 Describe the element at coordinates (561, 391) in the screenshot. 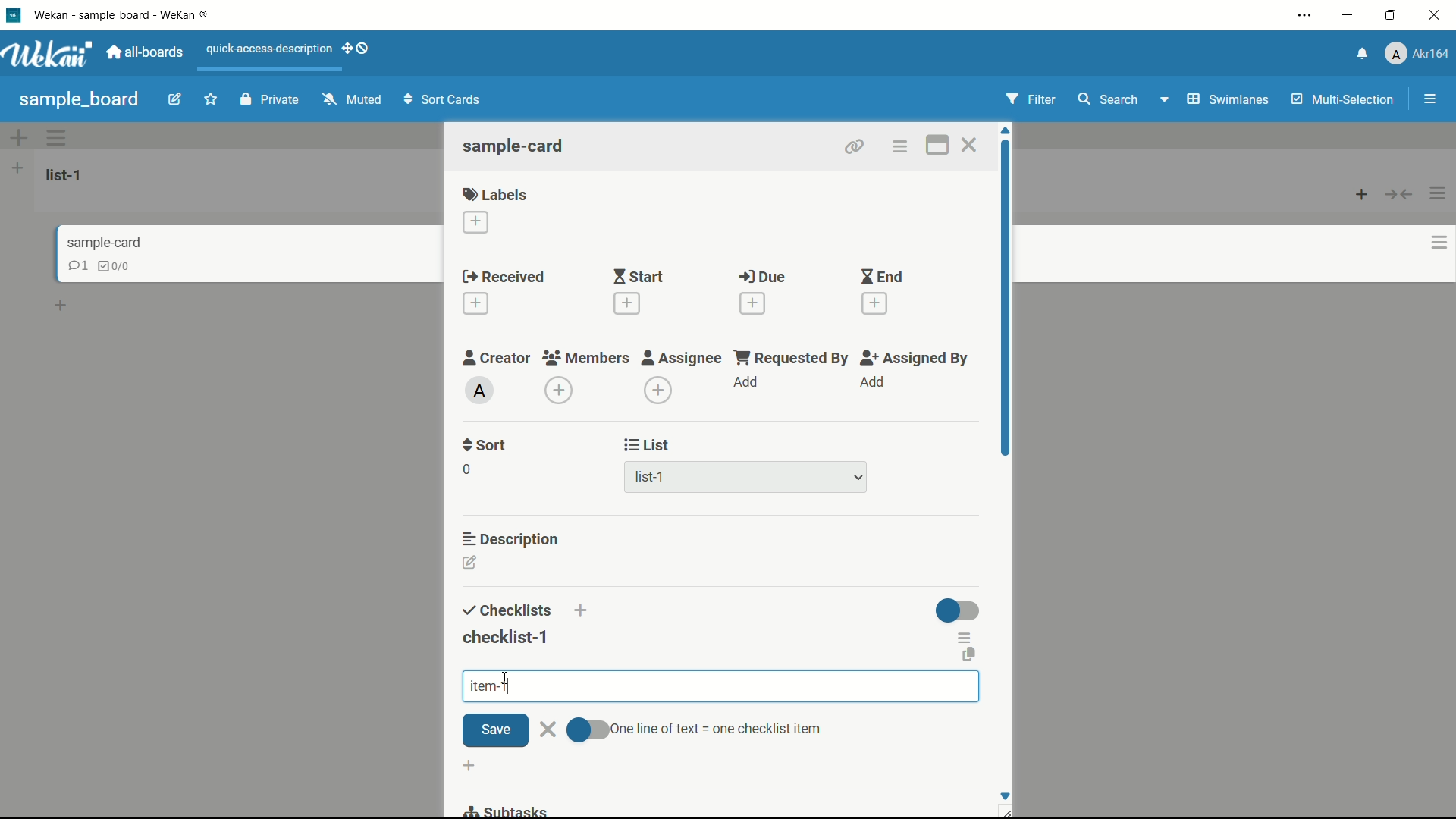

I see `add member` at that location.